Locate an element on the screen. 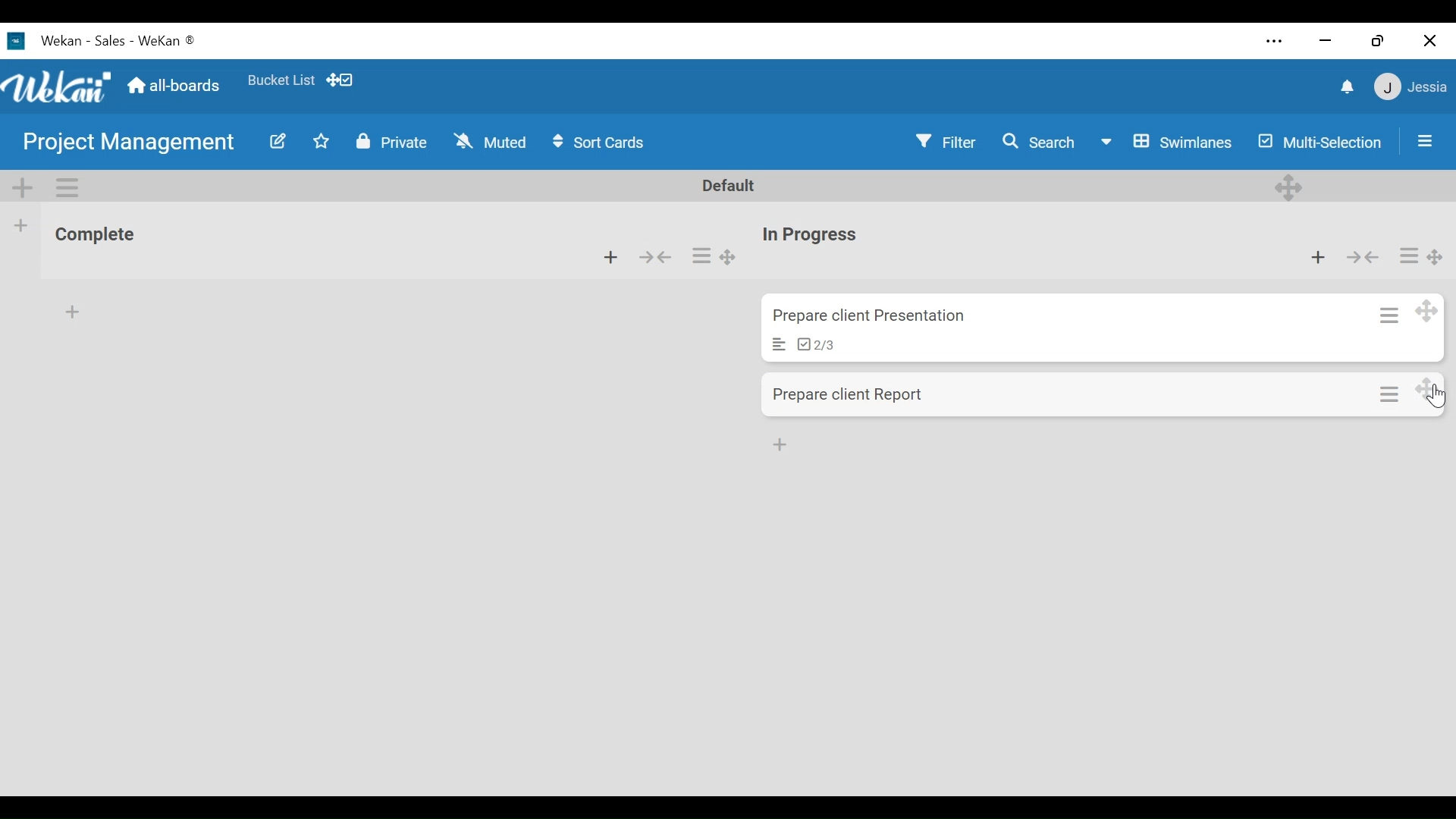 The width and height of the screenshot is (1456, 819). Sidebar is located at coordinates (1423, 136).